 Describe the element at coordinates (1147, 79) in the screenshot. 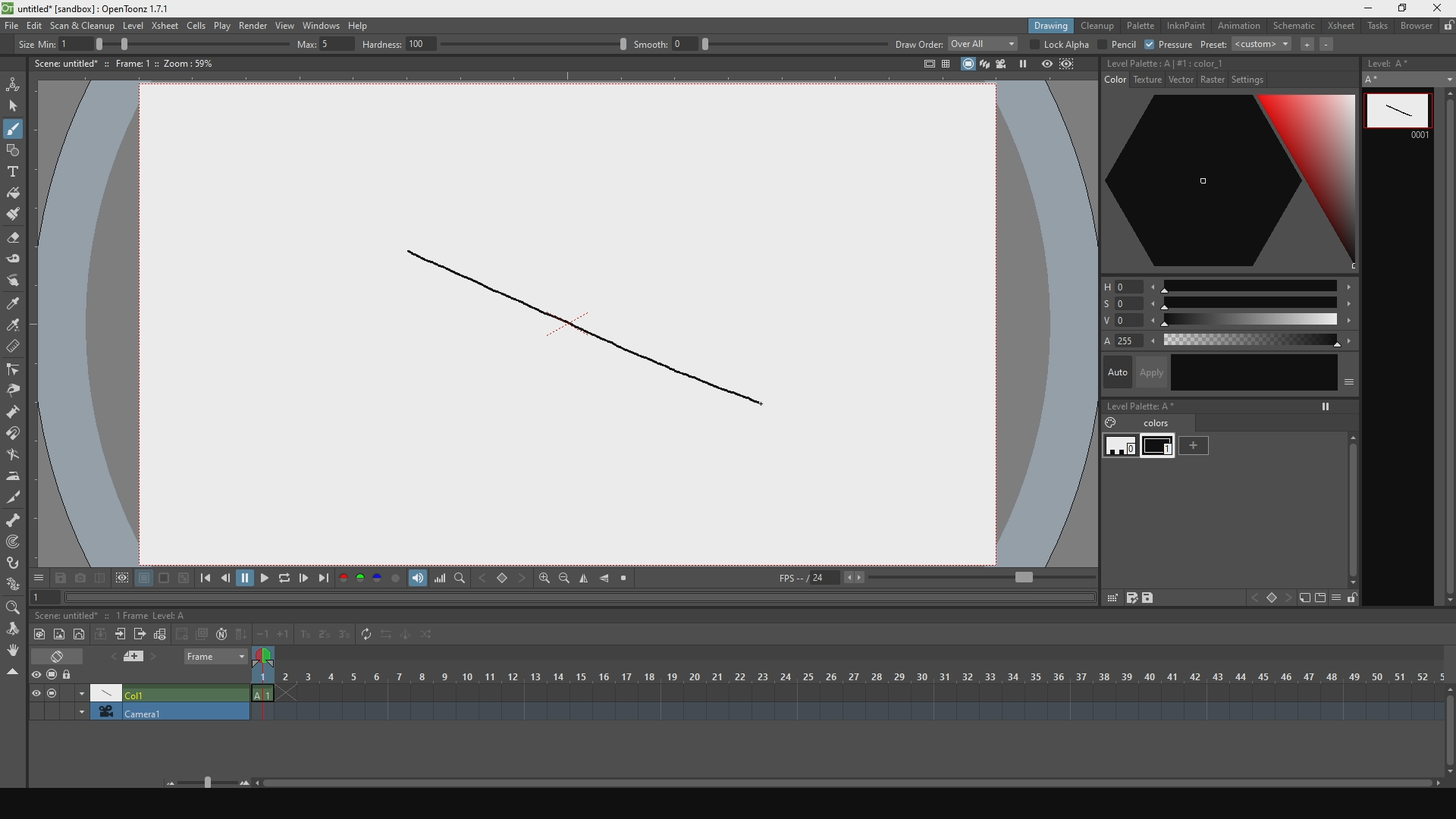

I see `texture` at that location.